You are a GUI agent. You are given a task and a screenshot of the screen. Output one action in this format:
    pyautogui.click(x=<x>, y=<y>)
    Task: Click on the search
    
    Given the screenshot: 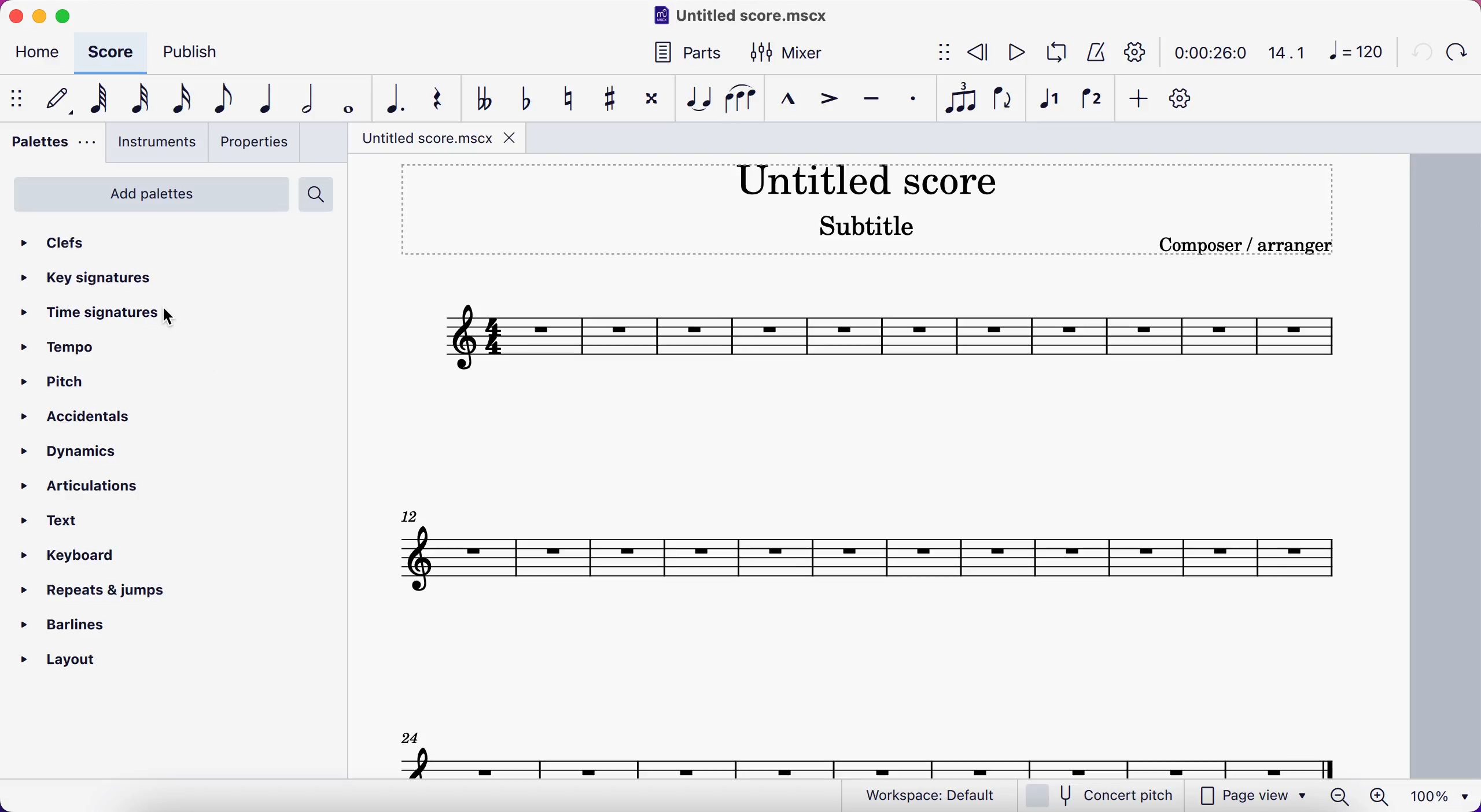 What is the action you would take?
    pyautogui.click(x=322, y=195)
    